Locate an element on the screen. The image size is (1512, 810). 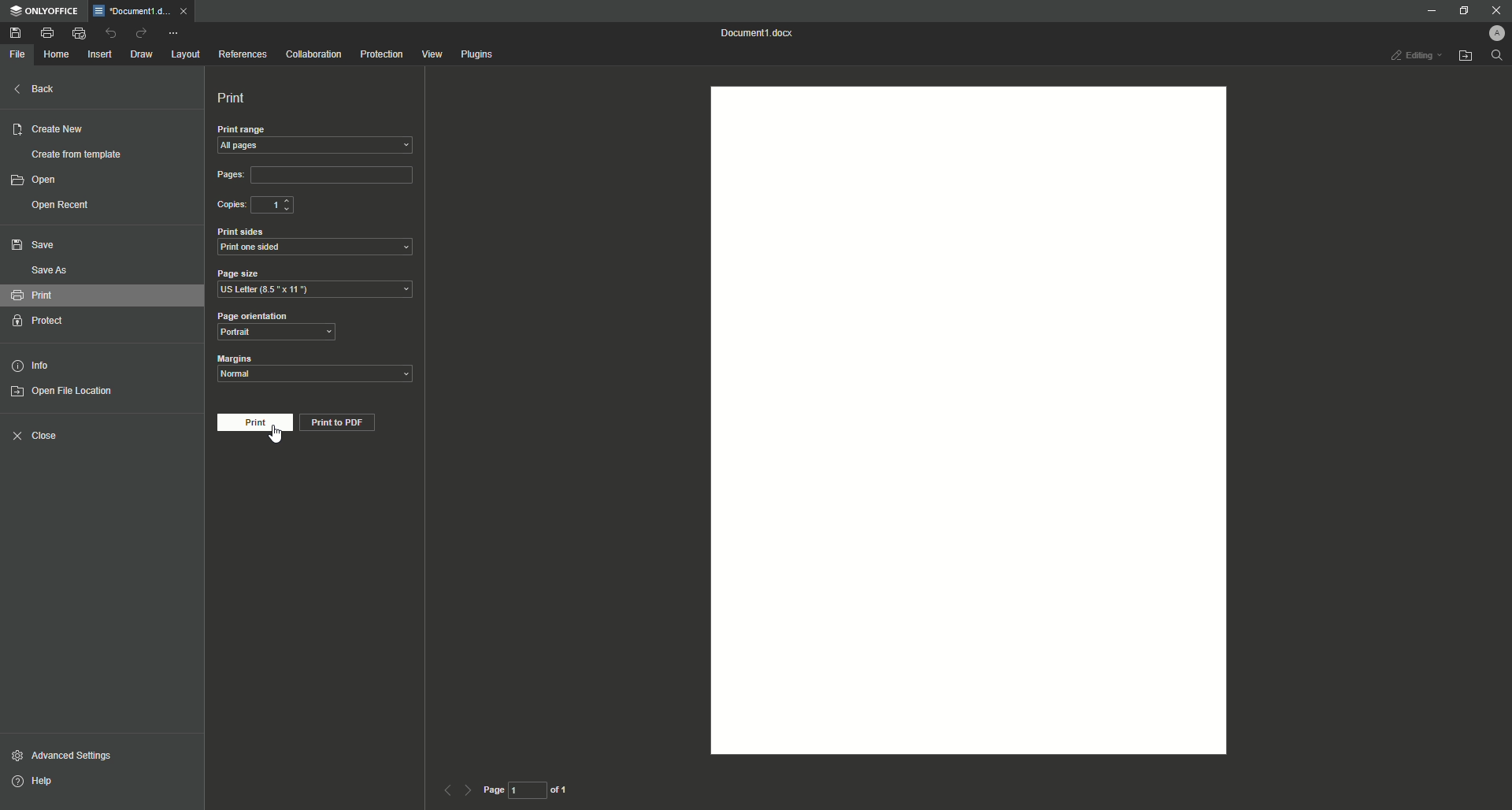
Print Range is located at coordinates (317, 130).